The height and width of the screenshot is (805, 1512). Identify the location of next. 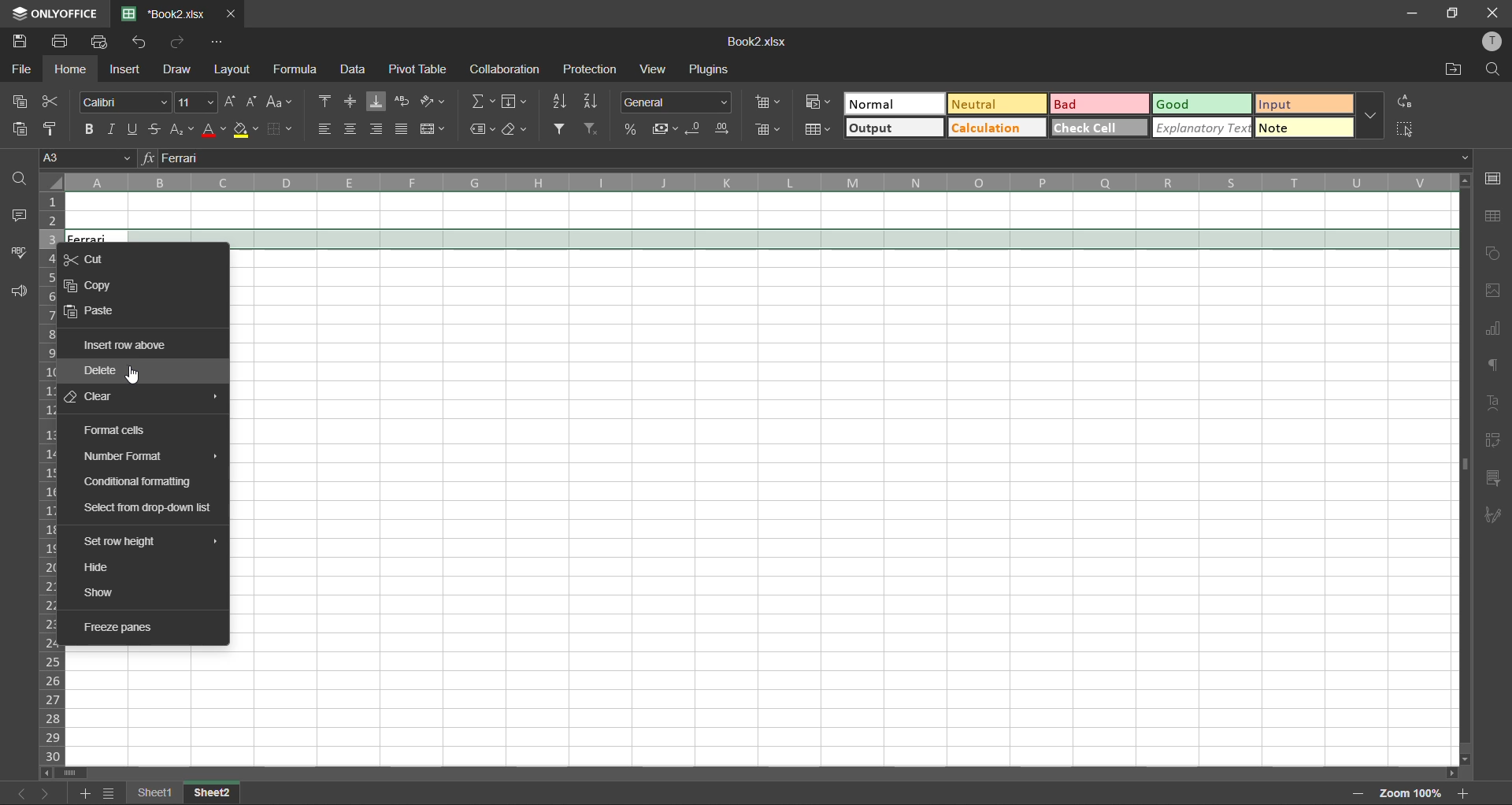
(50, 792).